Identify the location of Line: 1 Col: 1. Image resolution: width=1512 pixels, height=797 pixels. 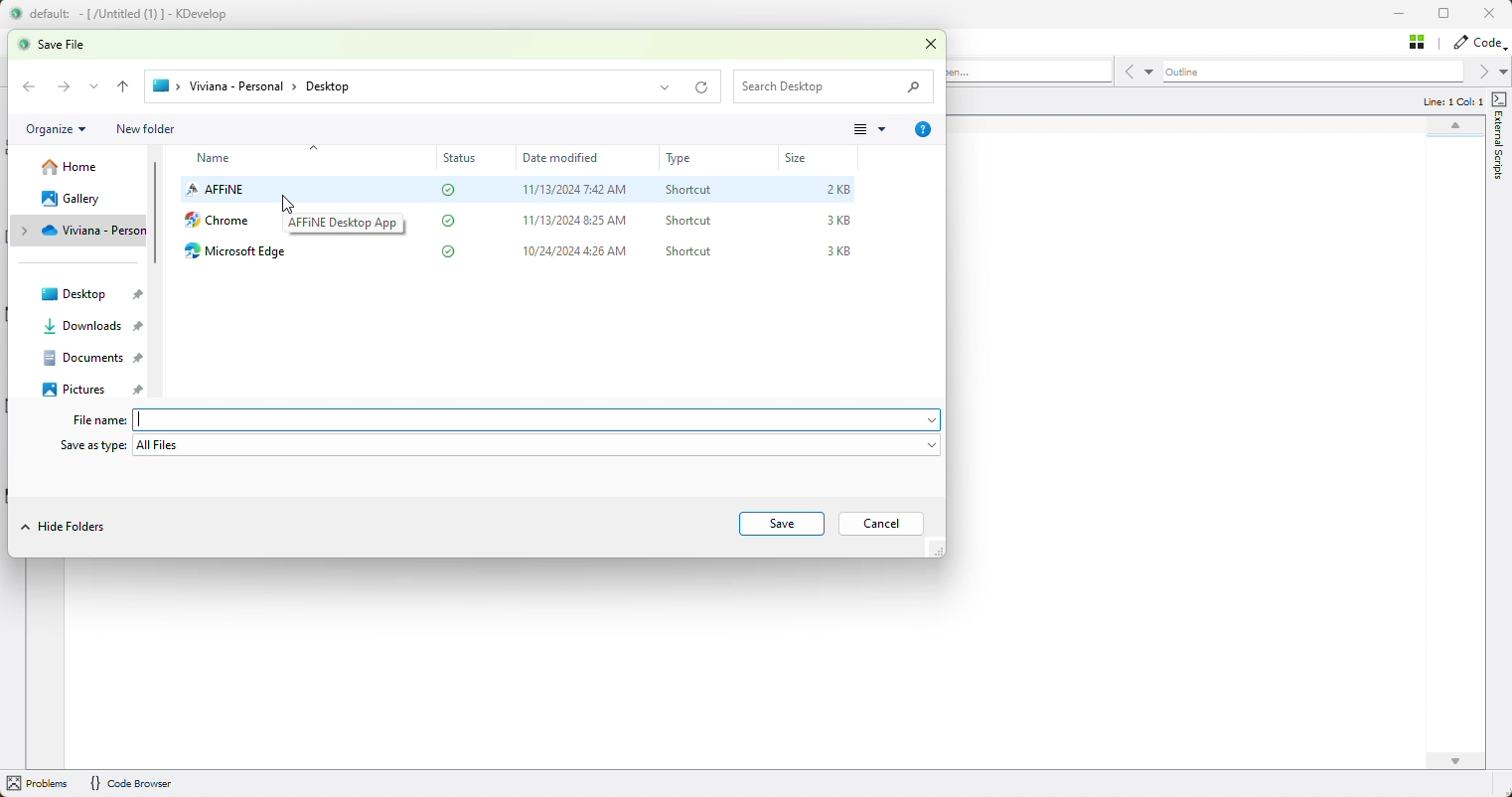
(1451, 101).